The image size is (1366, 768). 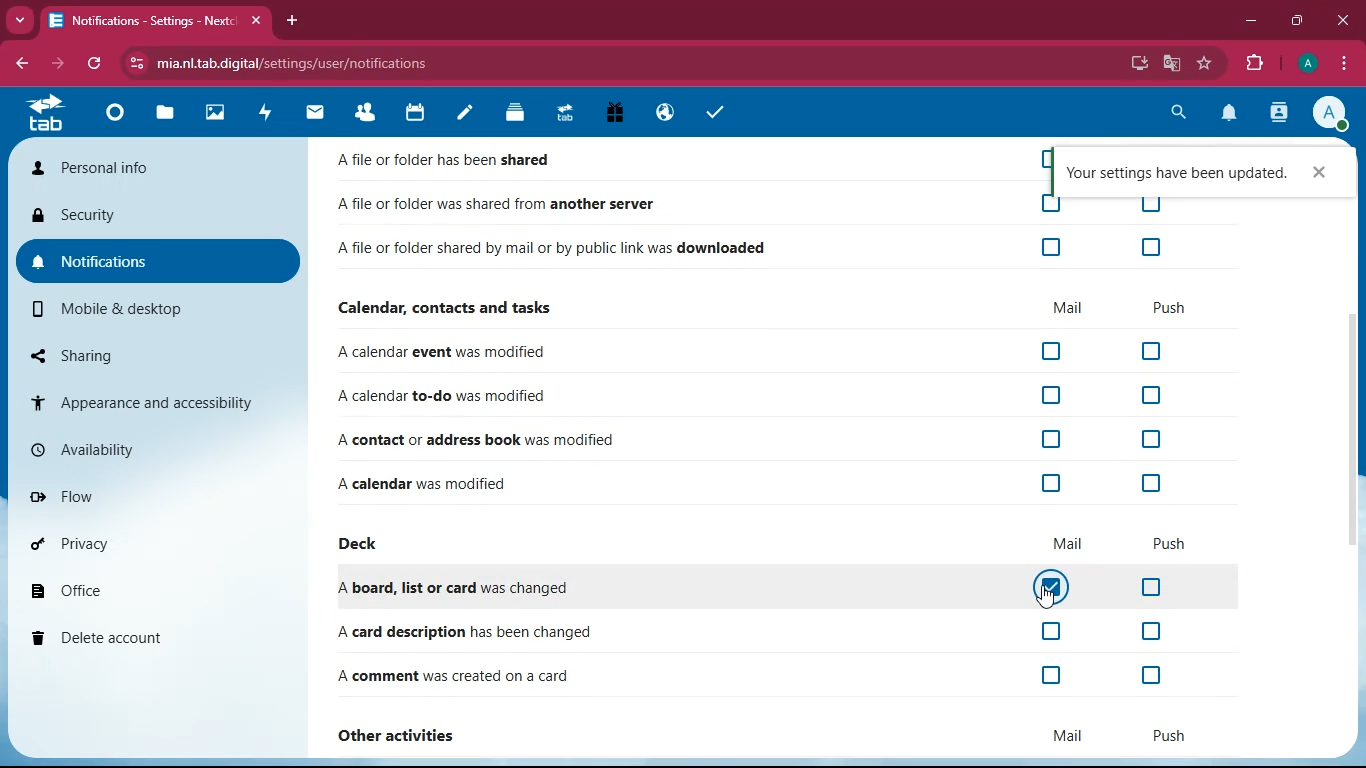 What do you see at coordinates (1346, 65) in the screenshot?
I see `options` at bounding box center [1346, 65].